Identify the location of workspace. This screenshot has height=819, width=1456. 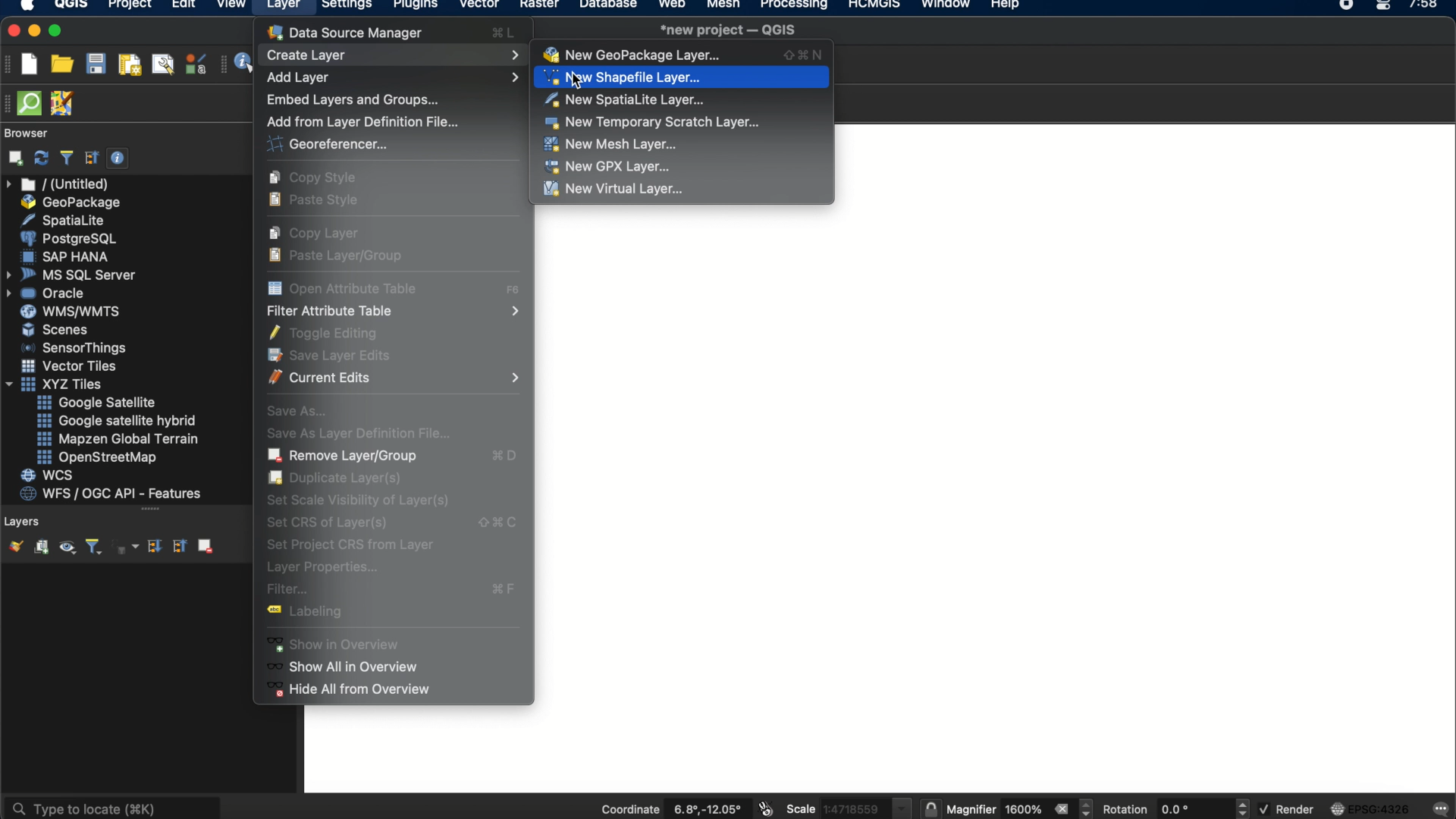
(421, 748).